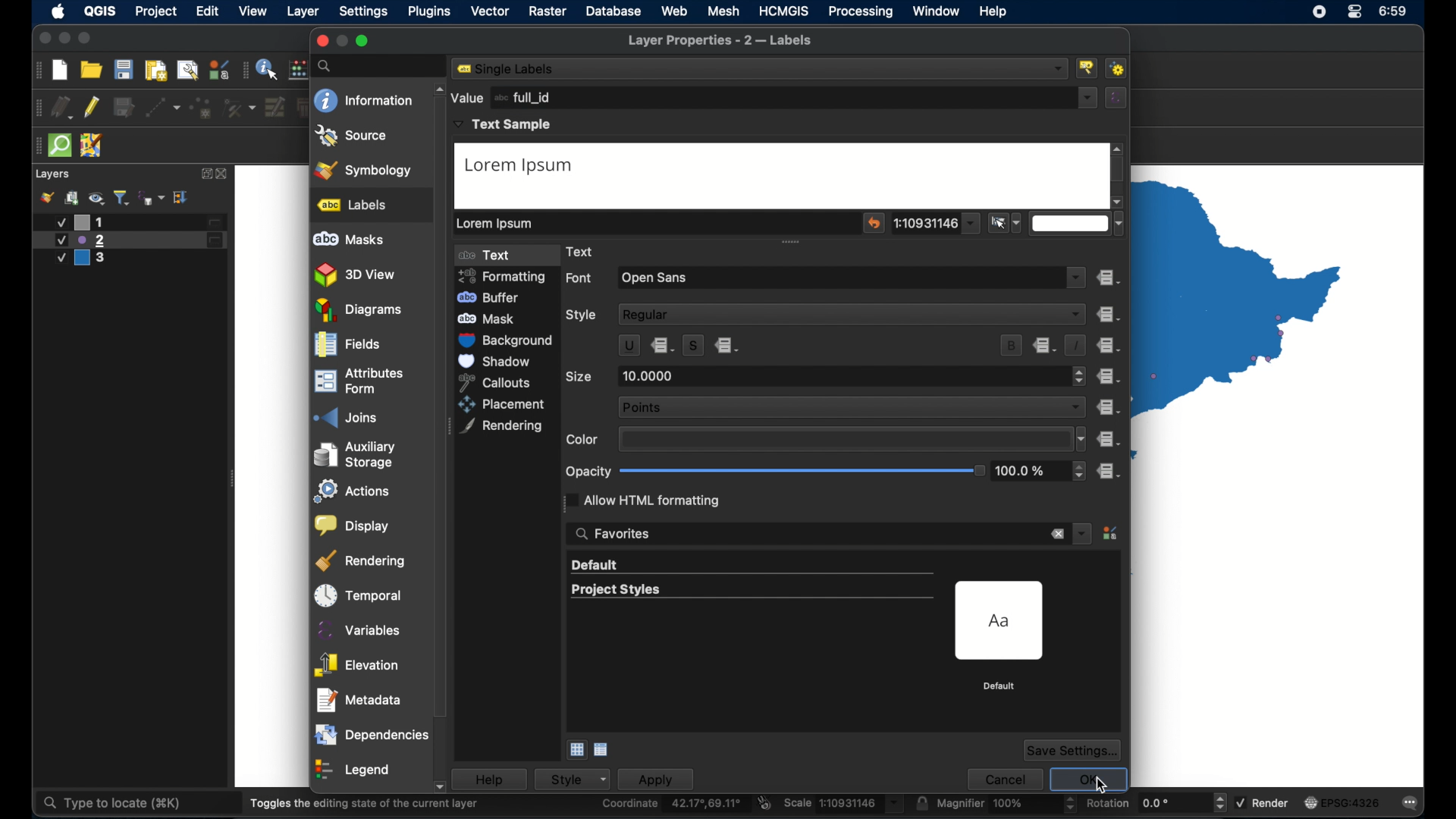 The height and width of the screenshot is (819, 1456). I want to click on buffer, so click(491, 297).